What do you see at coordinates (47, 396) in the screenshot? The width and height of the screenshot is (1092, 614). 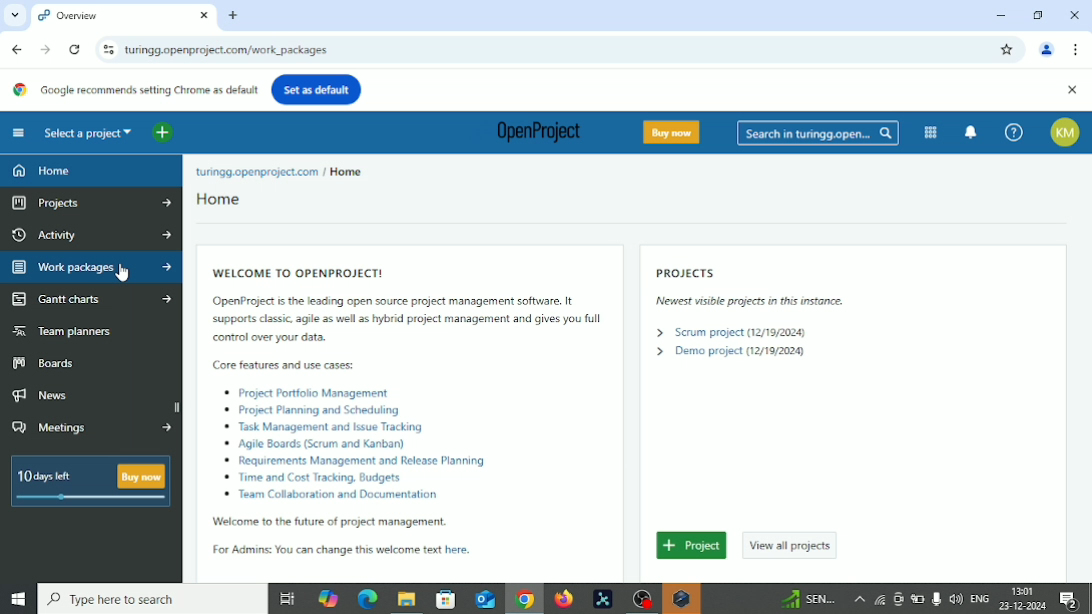 I see `News` at bounding box center [47, 396].